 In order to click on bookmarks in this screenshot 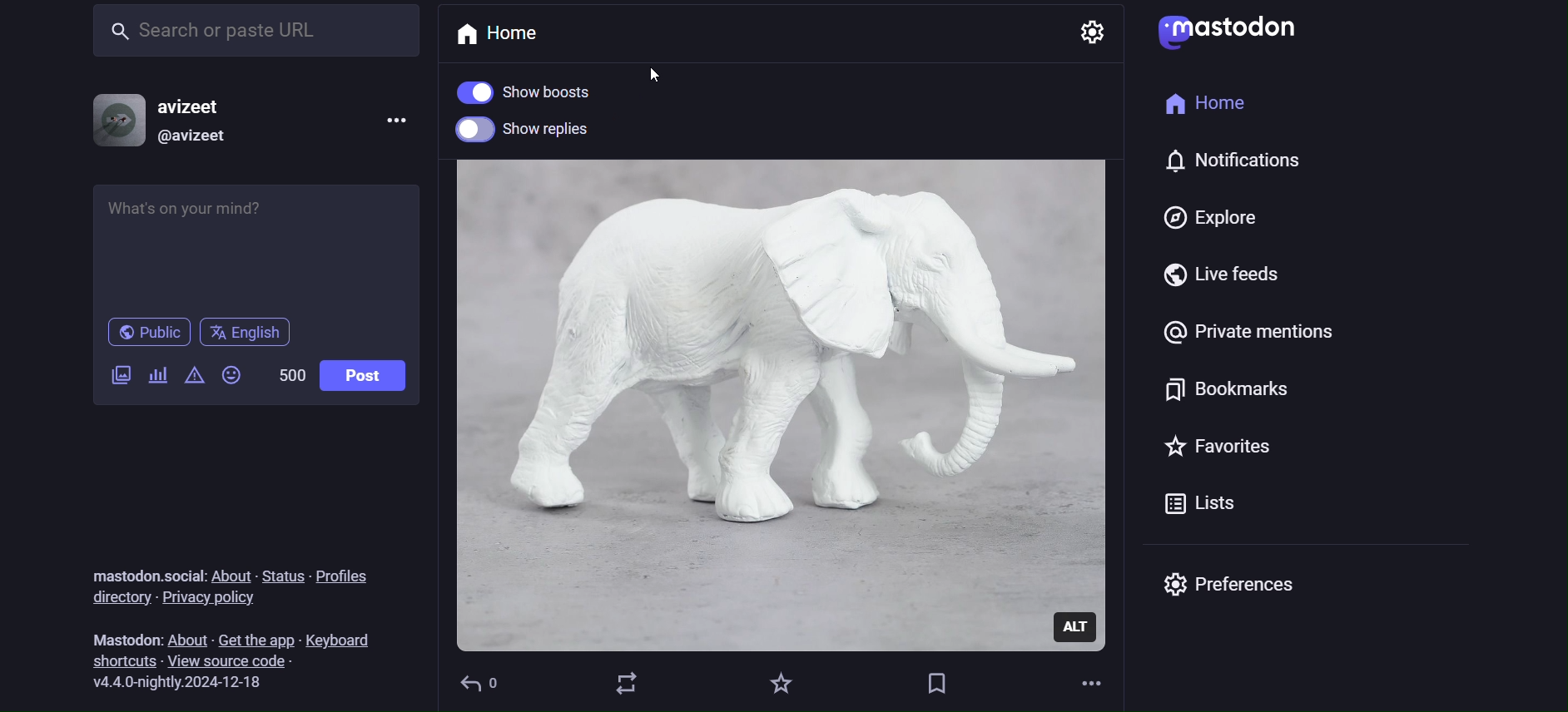, I will do `click(1220, 393)`.